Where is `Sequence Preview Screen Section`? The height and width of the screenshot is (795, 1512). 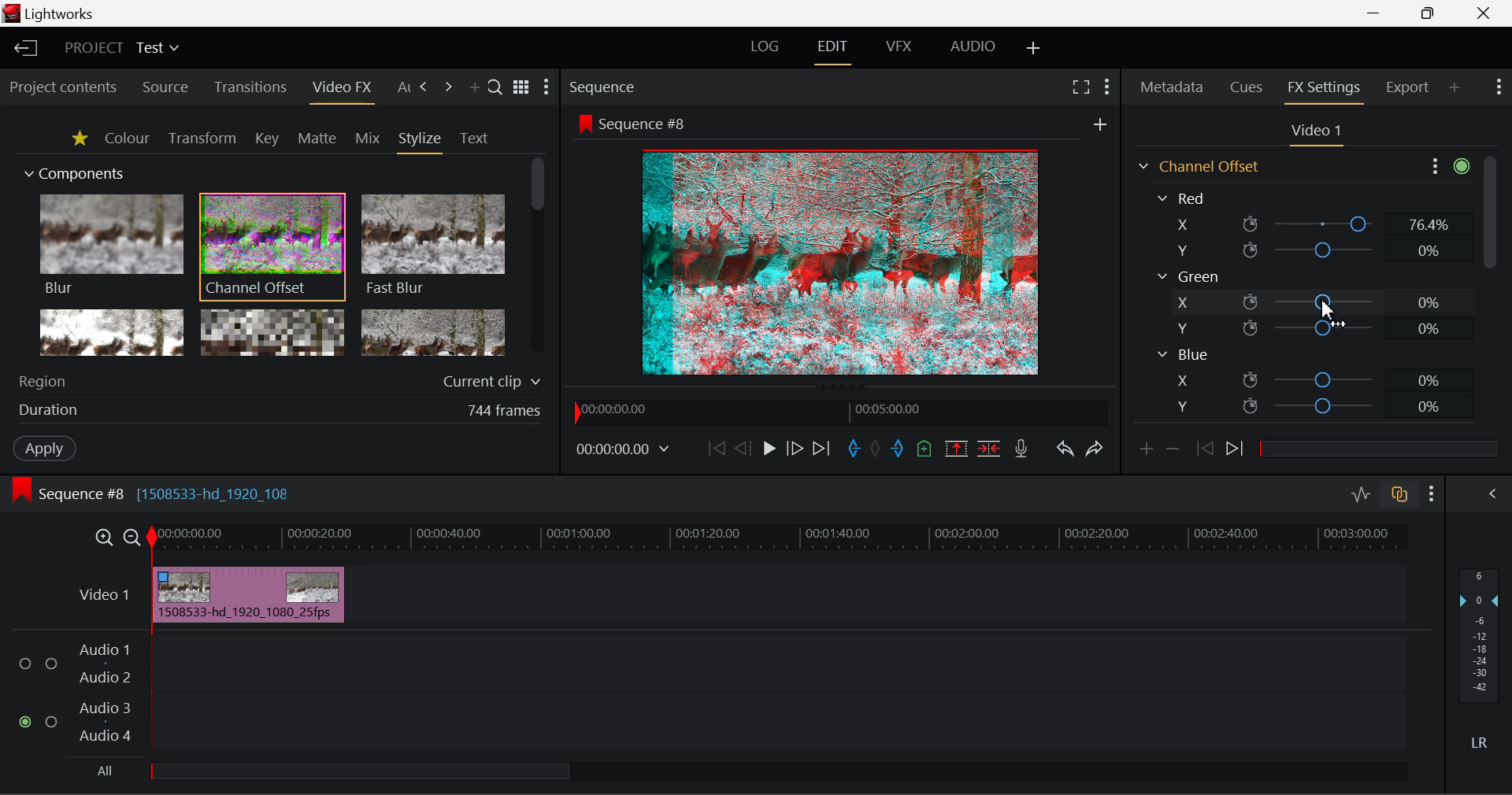 Sequence Preview Screen Section is located at coordinates (842, 122).